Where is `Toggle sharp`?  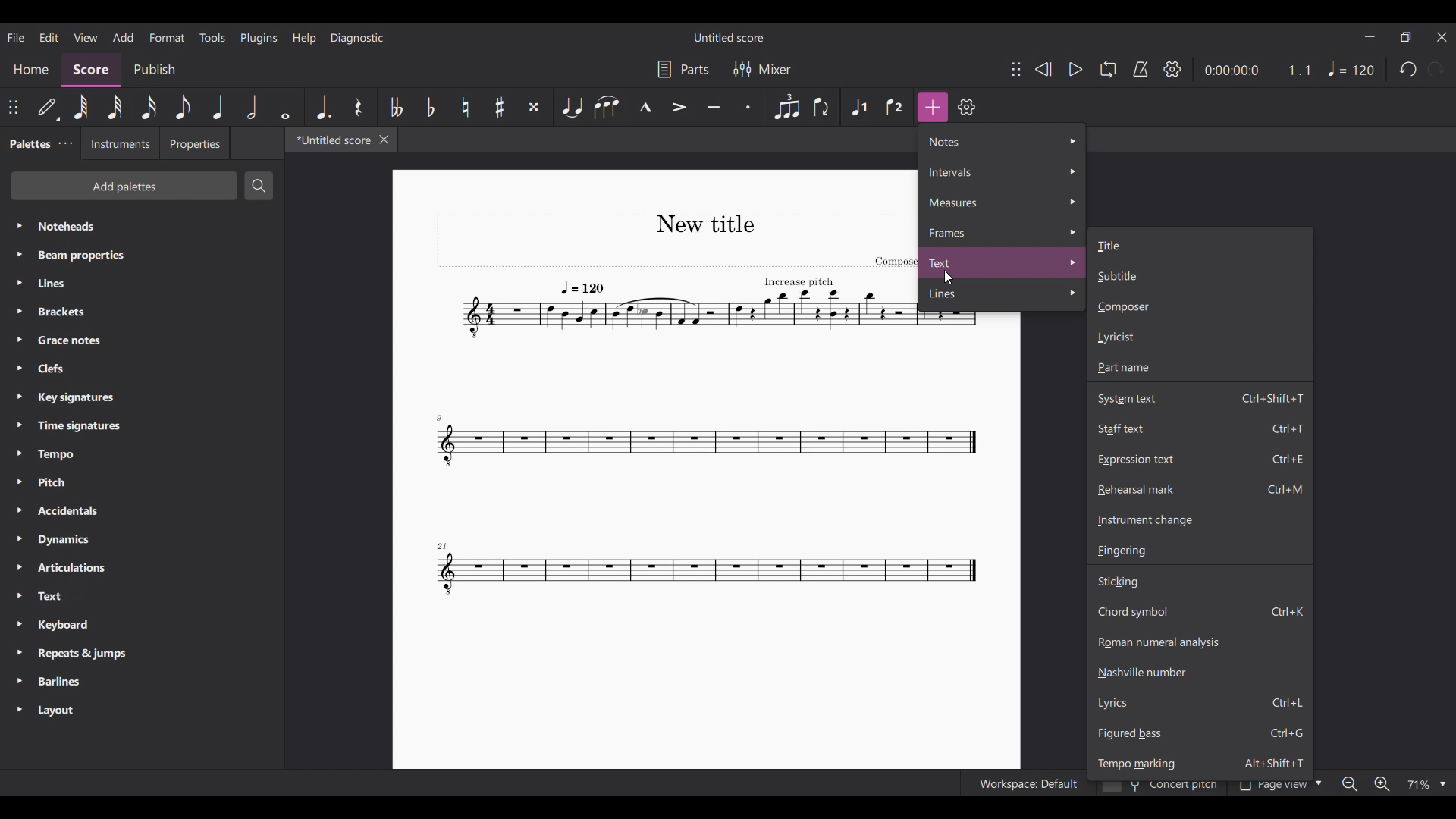
Toggle sharp is located at coordinates (500, 108).